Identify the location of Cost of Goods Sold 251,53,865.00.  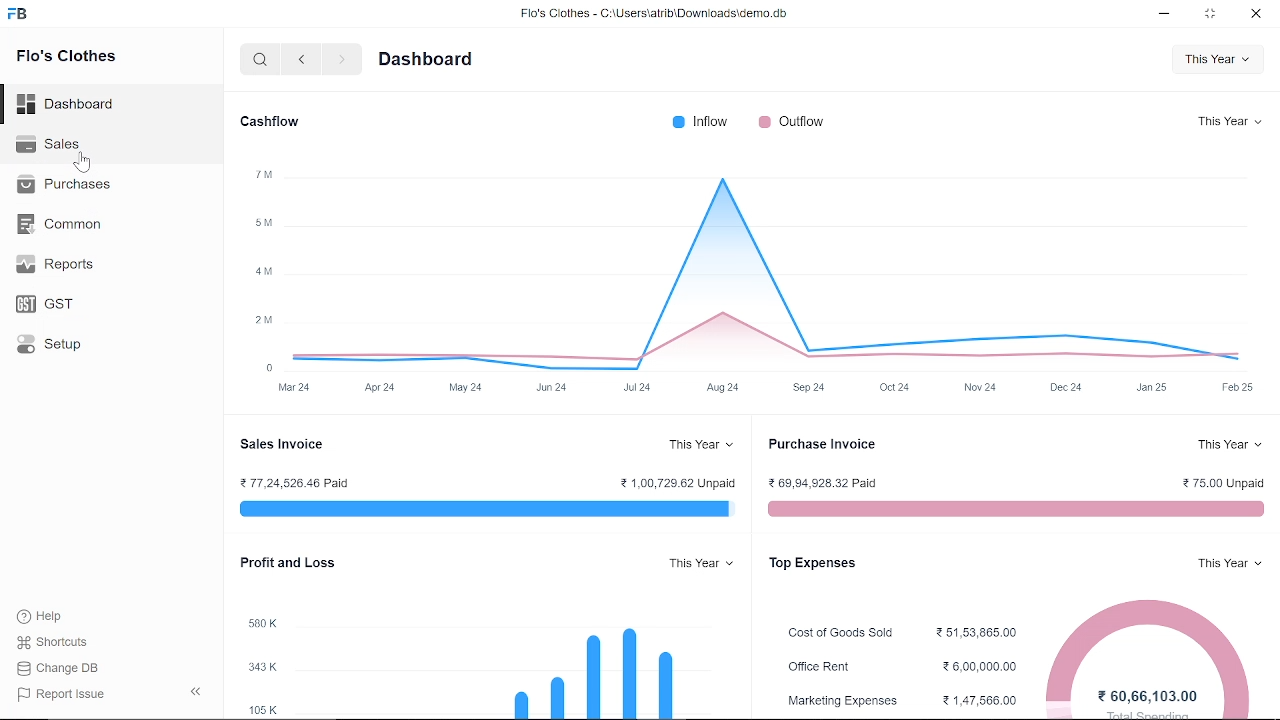
(904, 631).